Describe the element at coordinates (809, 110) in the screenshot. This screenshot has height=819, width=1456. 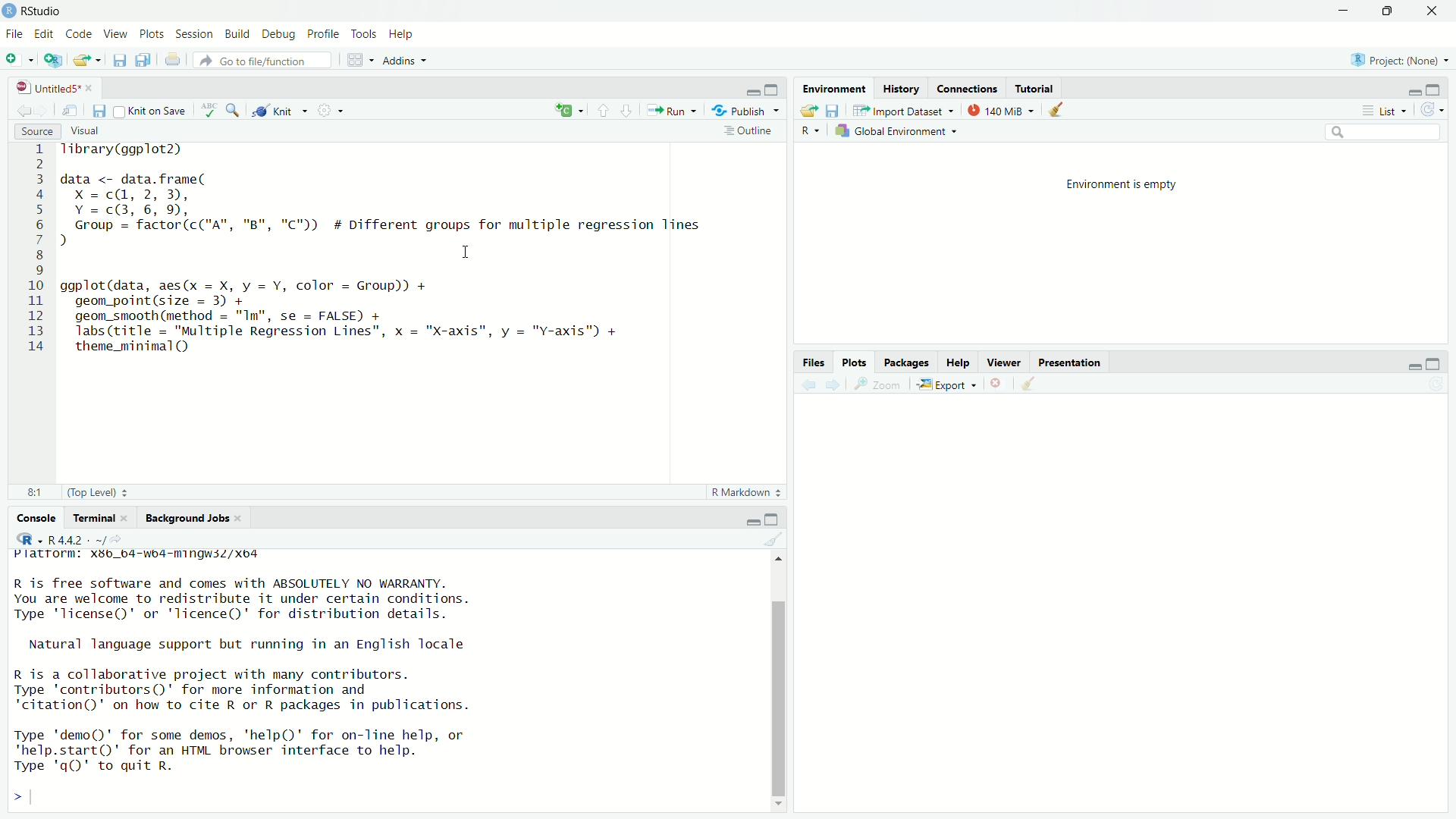
I see `export` at that location.